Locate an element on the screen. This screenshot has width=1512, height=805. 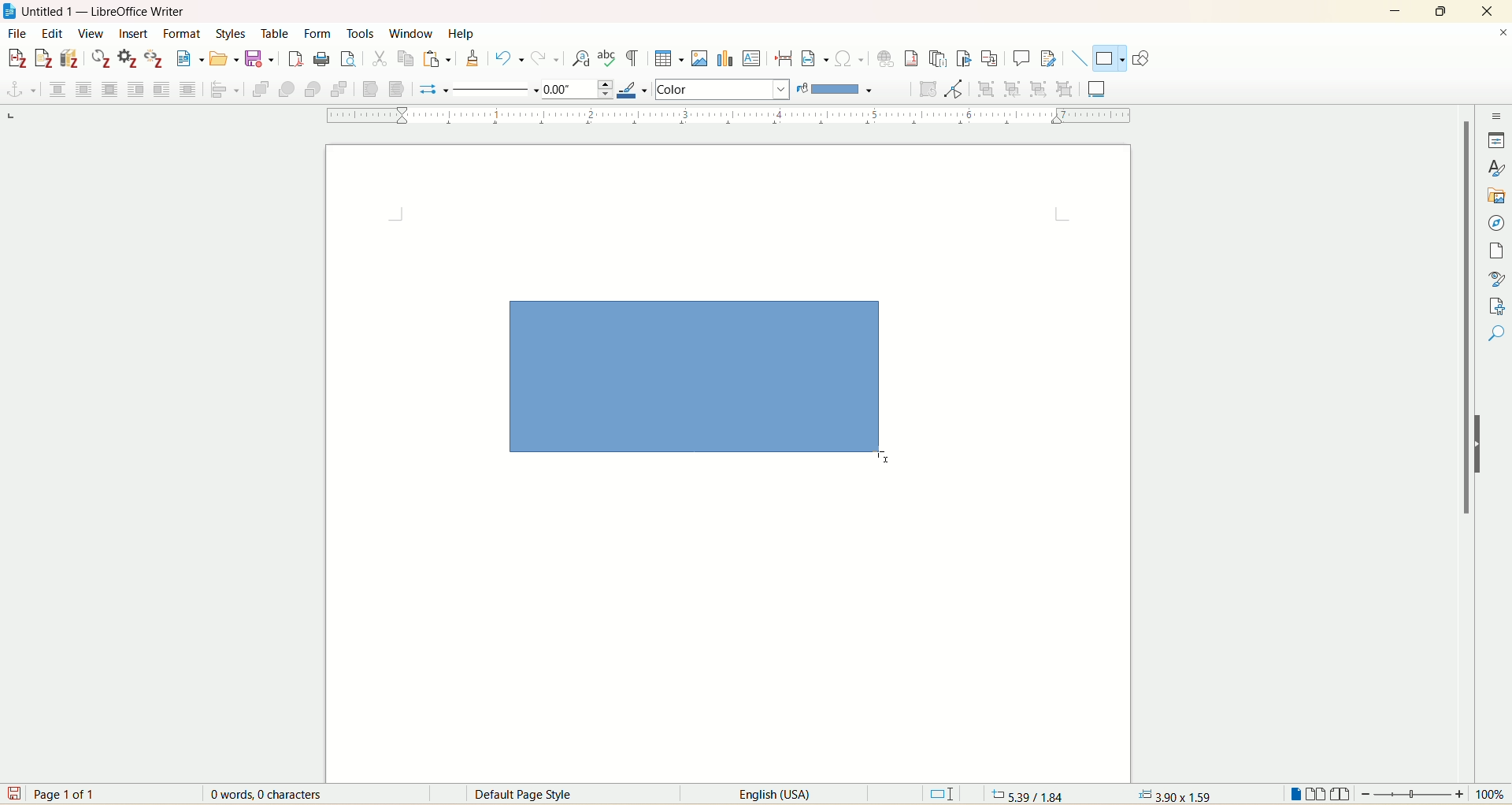
multi page view is located at coordinates (1317, 793).